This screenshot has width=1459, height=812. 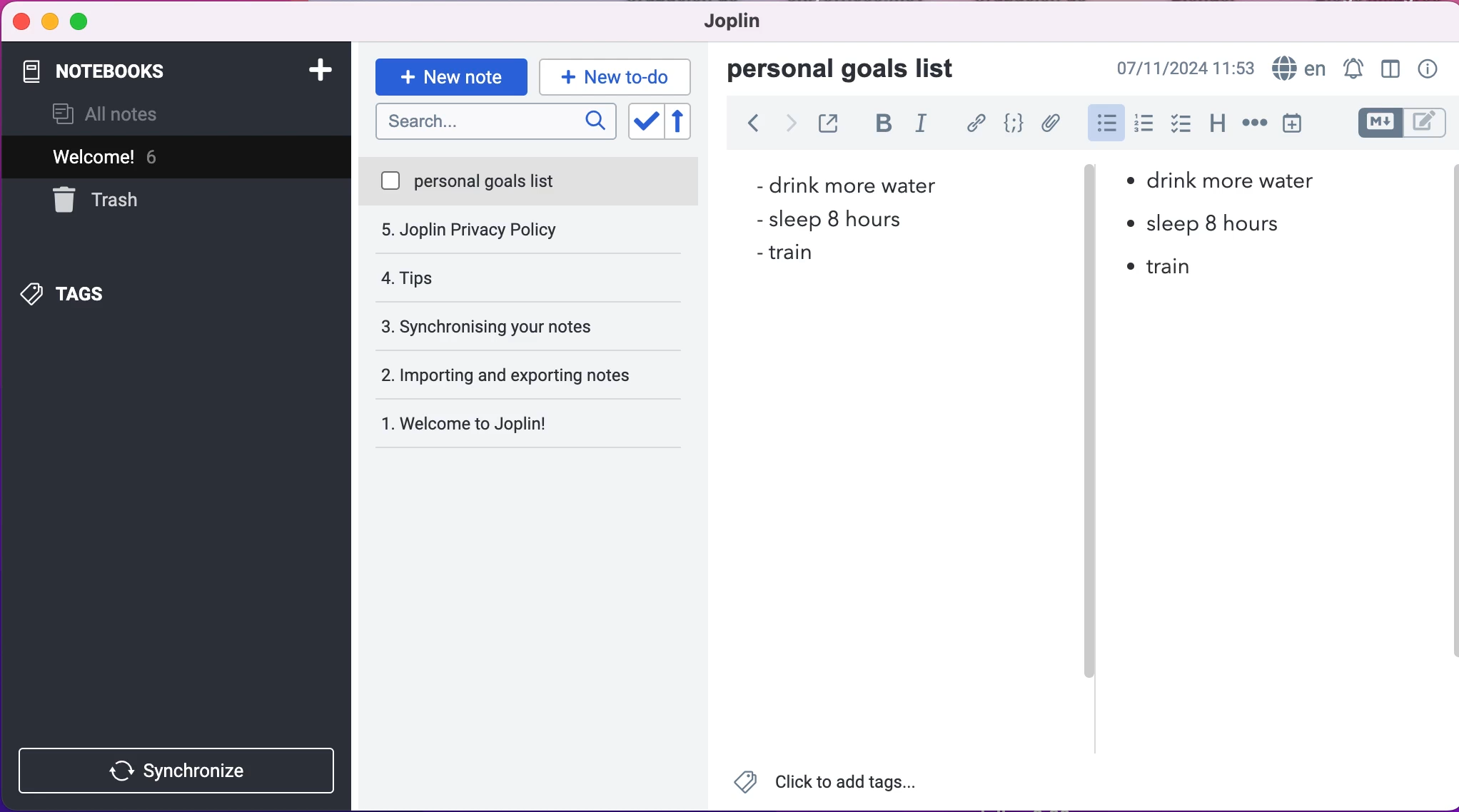 I want to click on language, so click(x=1298, y=66).